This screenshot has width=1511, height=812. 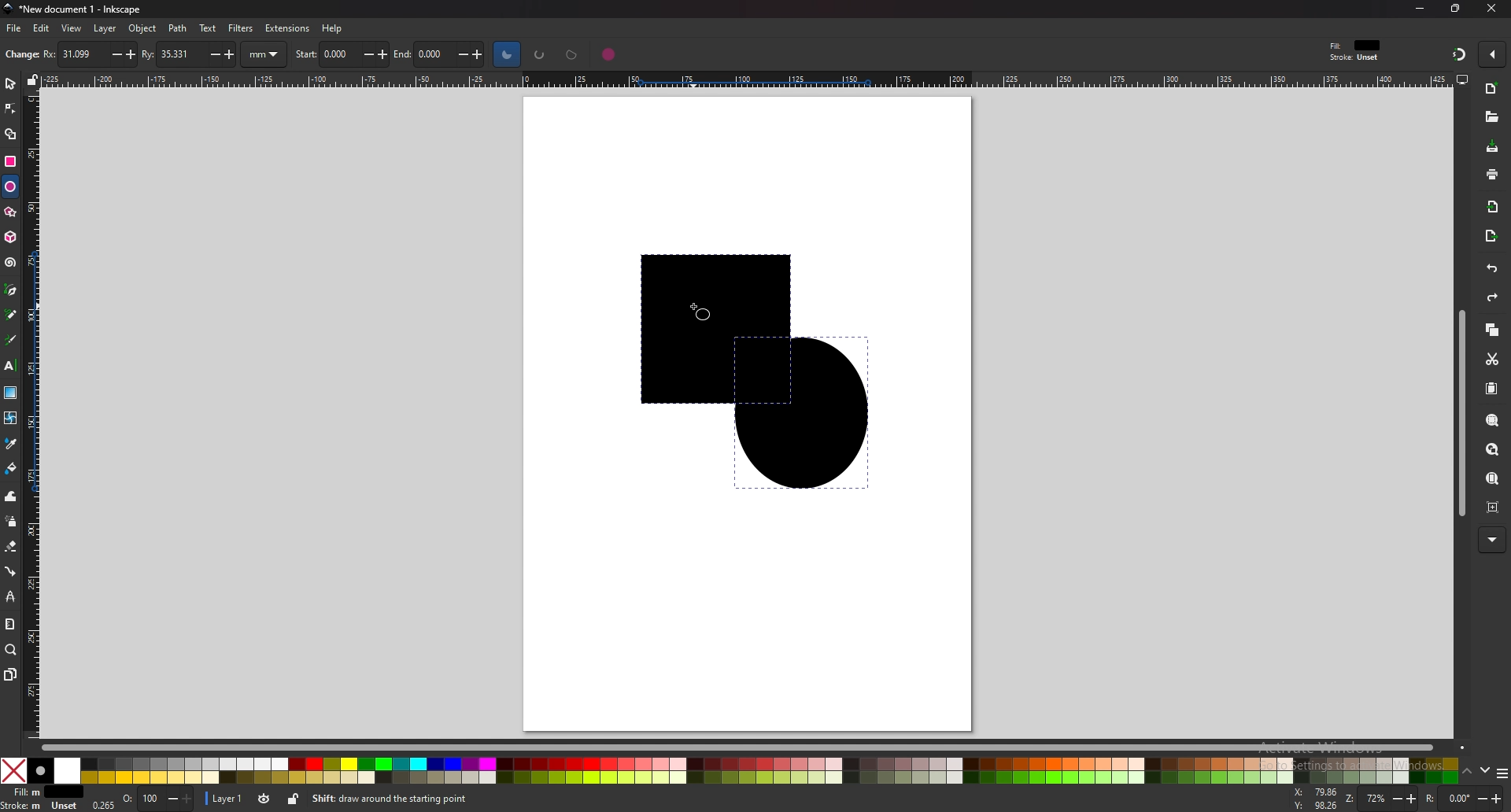 I want to click on resize, so click(x=1455, y=9).